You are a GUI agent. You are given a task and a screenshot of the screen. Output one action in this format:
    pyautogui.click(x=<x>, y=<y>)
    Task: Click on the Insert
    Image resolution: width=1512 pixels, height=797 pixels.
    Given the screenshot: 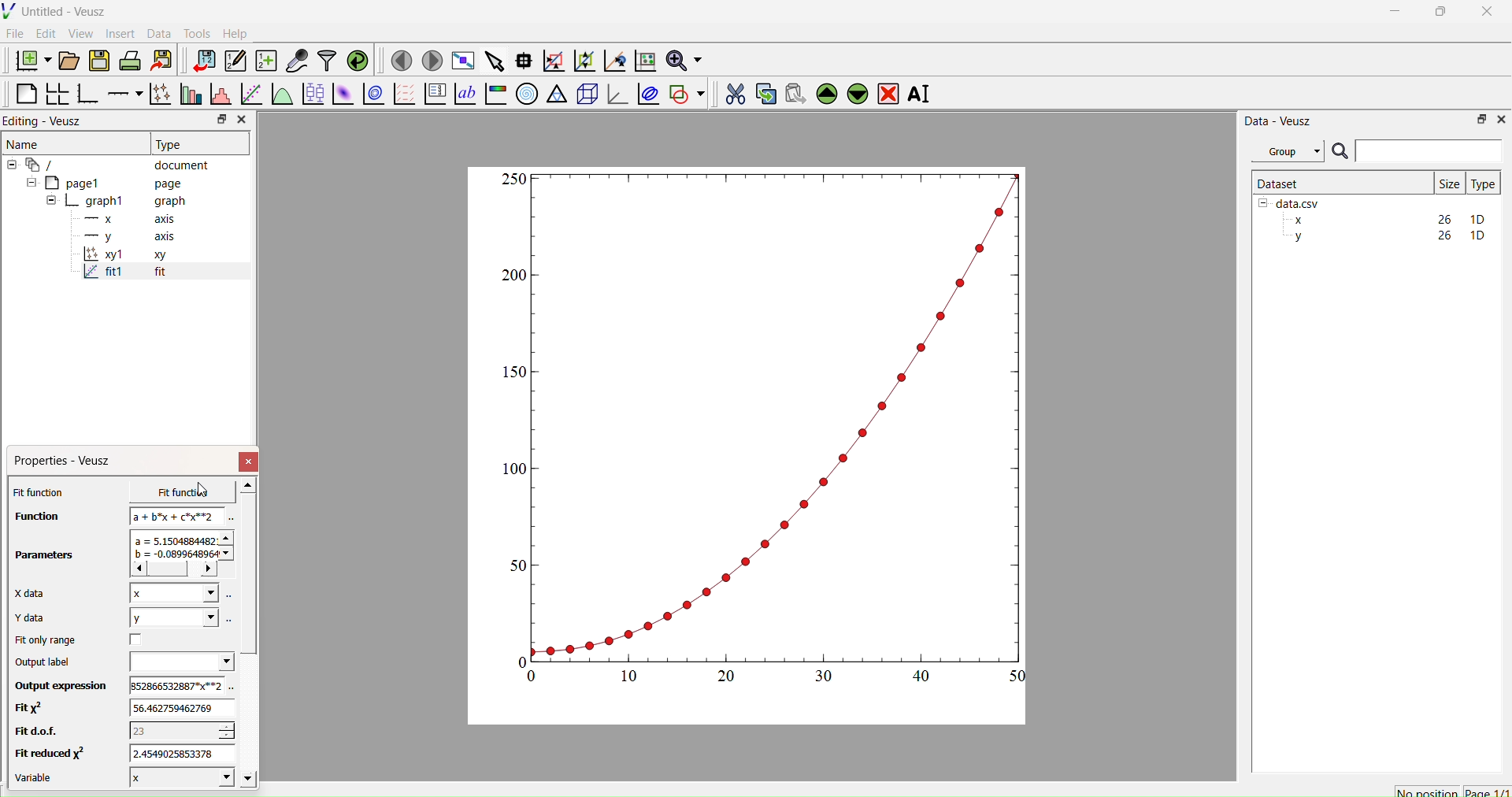 What is the action you would take?
    pyautogui.click(x=123, y=33)
    